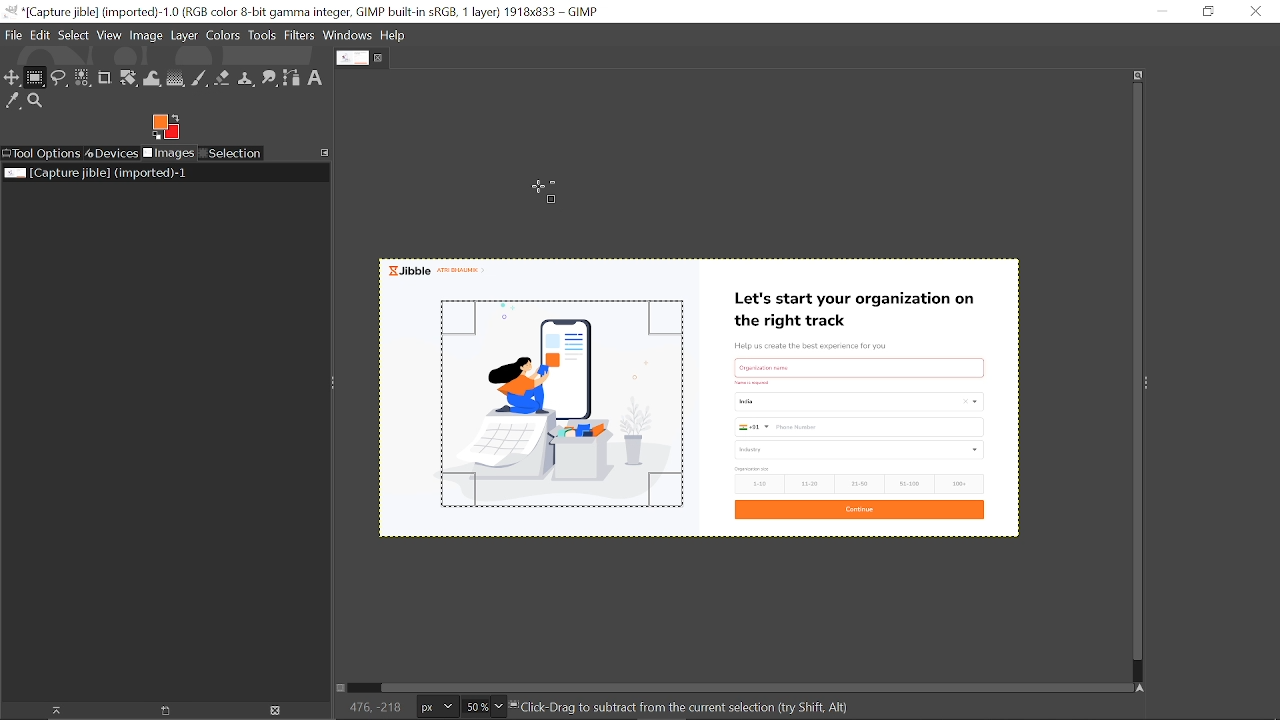 The height and width of the screenshot is (720, 1280). Describe the element at coordinates (168, 154) in the screenshot. I see `Images` at that location.